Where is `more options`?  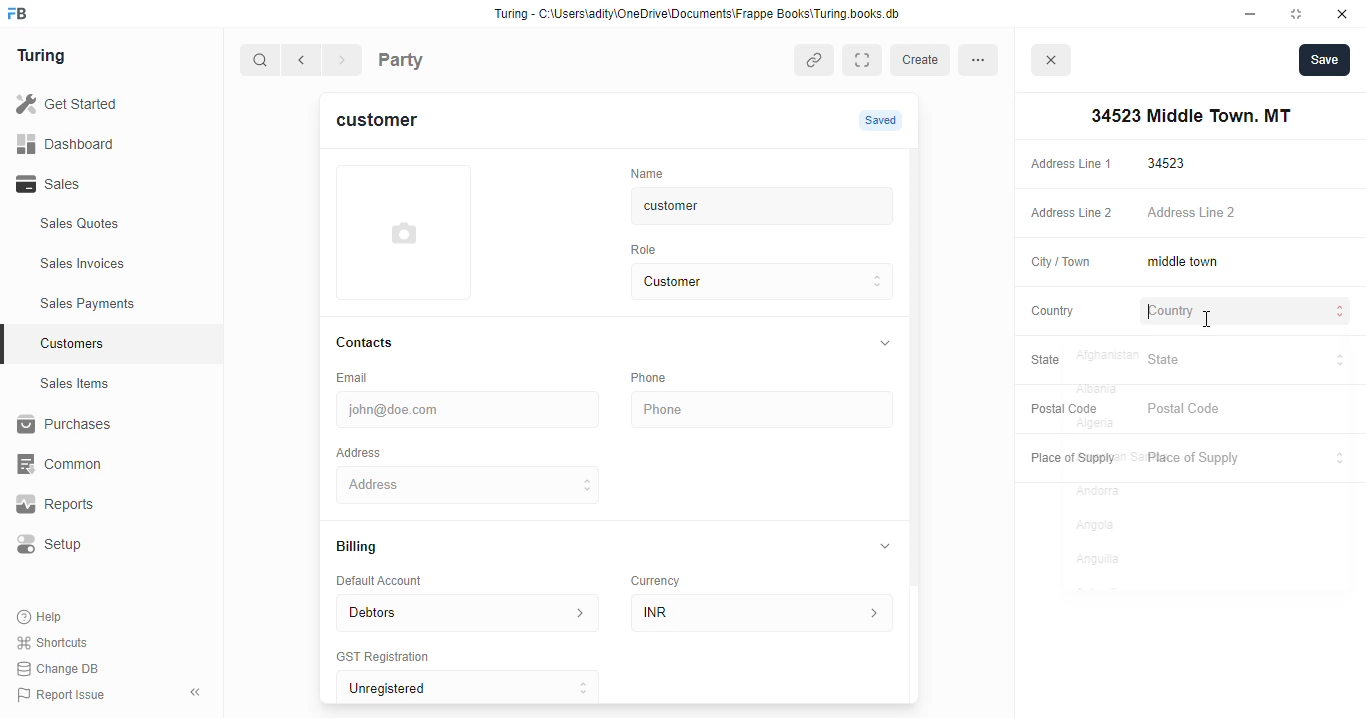 more options is located at coordinates (984, 59).